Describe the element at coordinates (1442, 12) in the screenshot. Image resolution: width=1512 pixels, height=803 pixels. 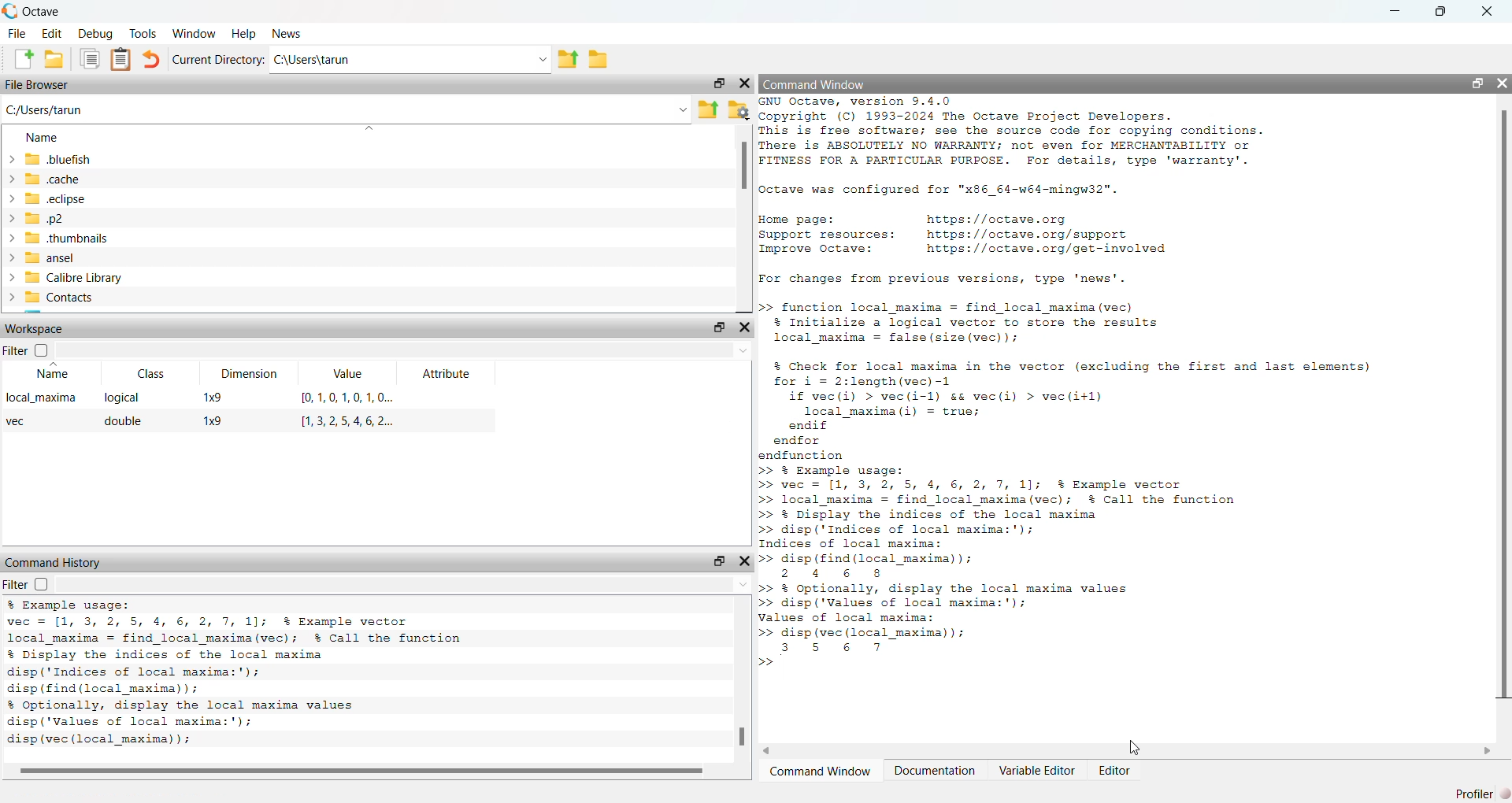
I see `restore` at that location.